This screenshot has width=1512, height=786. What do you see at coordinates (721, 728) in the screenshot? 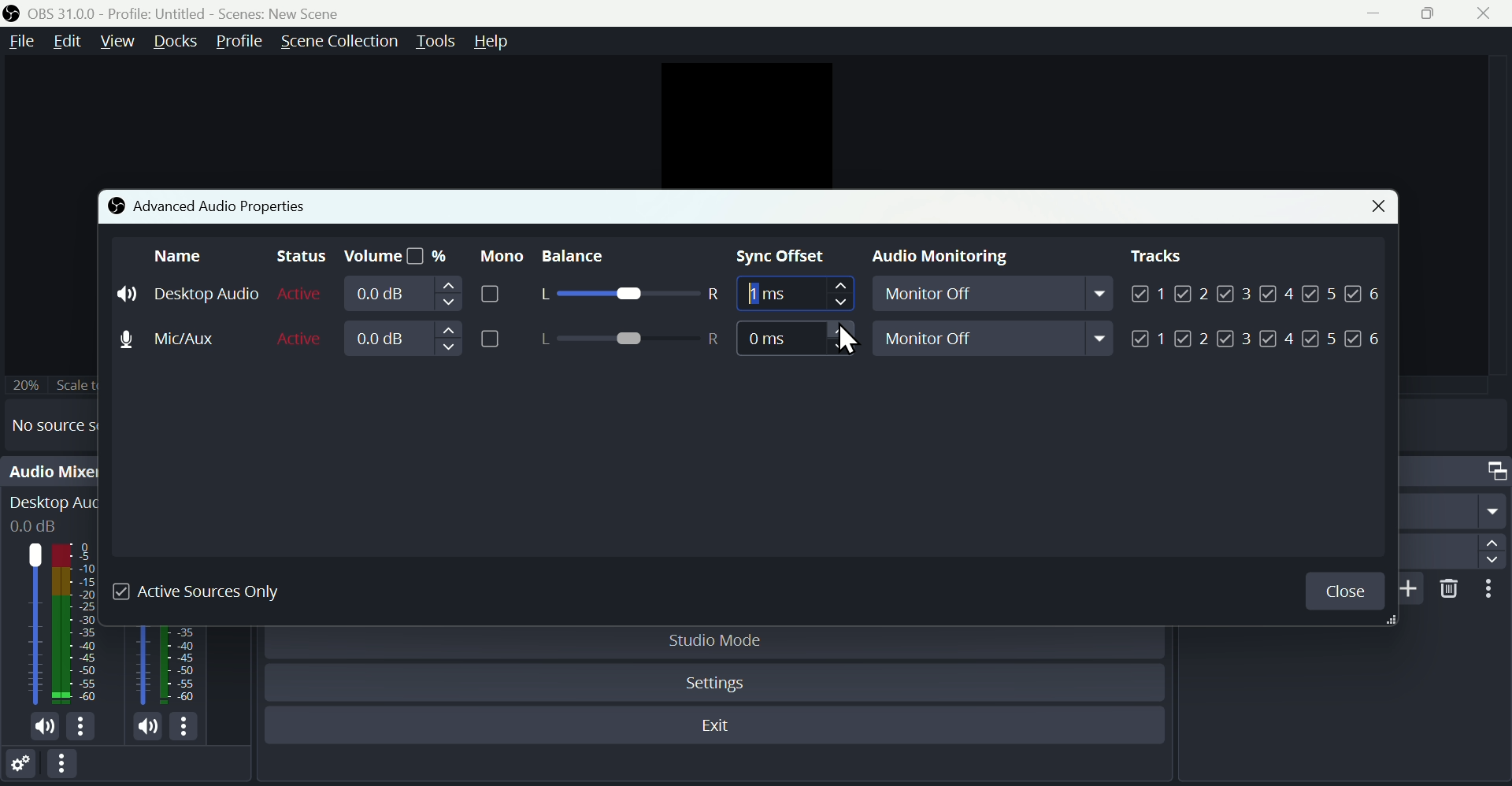
I see `Exit` at bounding box center [721, 728].